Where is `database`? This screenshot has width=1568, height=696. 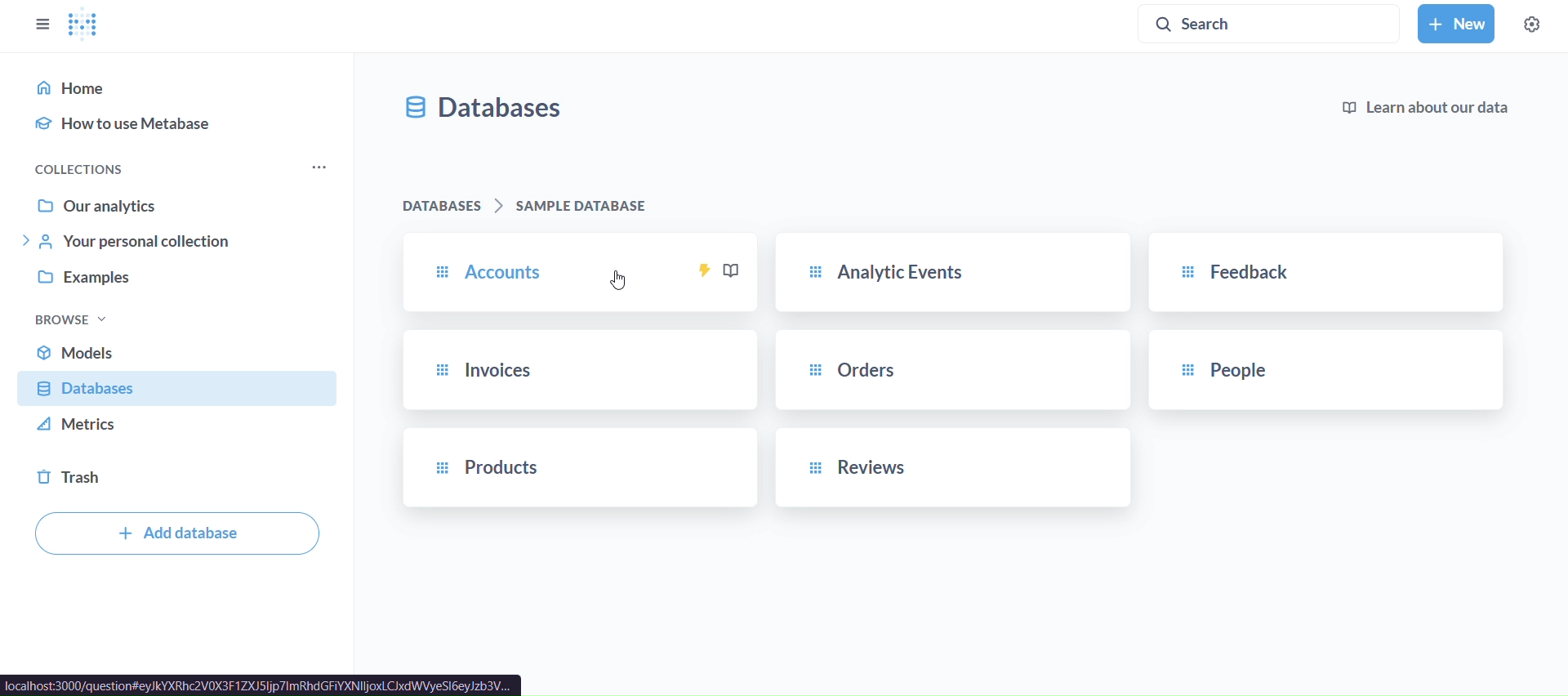 database is located at coordinates (491, 109).